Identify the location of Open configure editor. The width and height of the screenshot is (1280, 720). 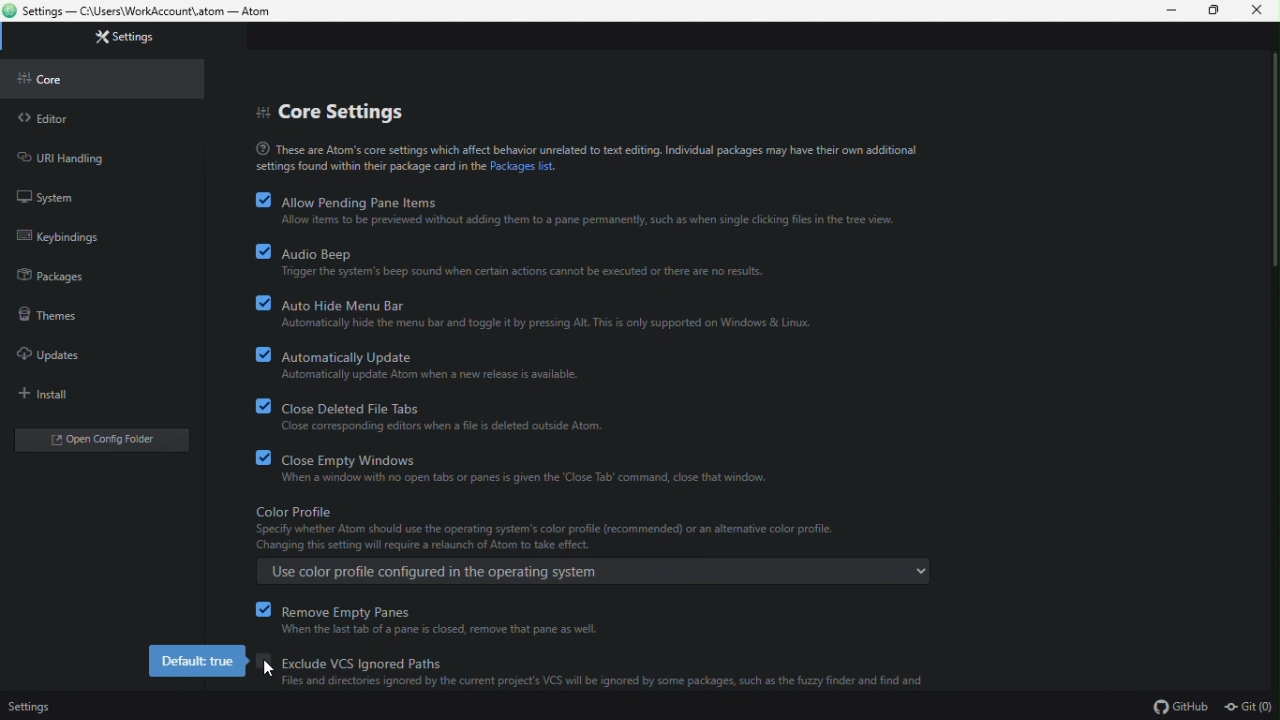
(107, 439).